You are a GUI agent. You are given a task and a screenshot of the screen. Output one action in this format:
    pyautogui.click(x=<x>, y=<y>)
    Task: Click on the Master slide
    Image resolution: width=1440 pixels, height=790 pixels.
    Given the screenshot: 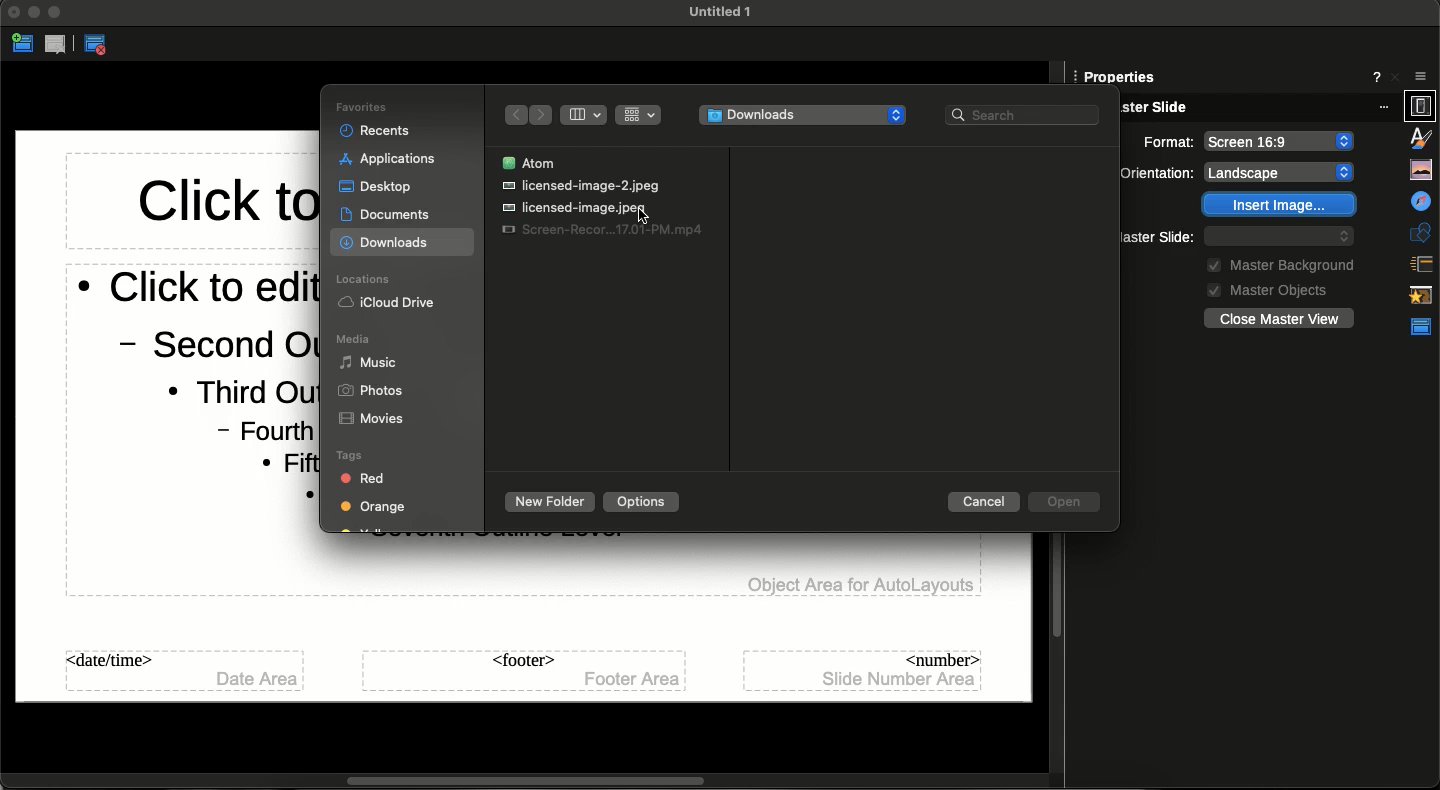 What is the action you would take?
    pyautogui.click(x=1255, y=108)
    